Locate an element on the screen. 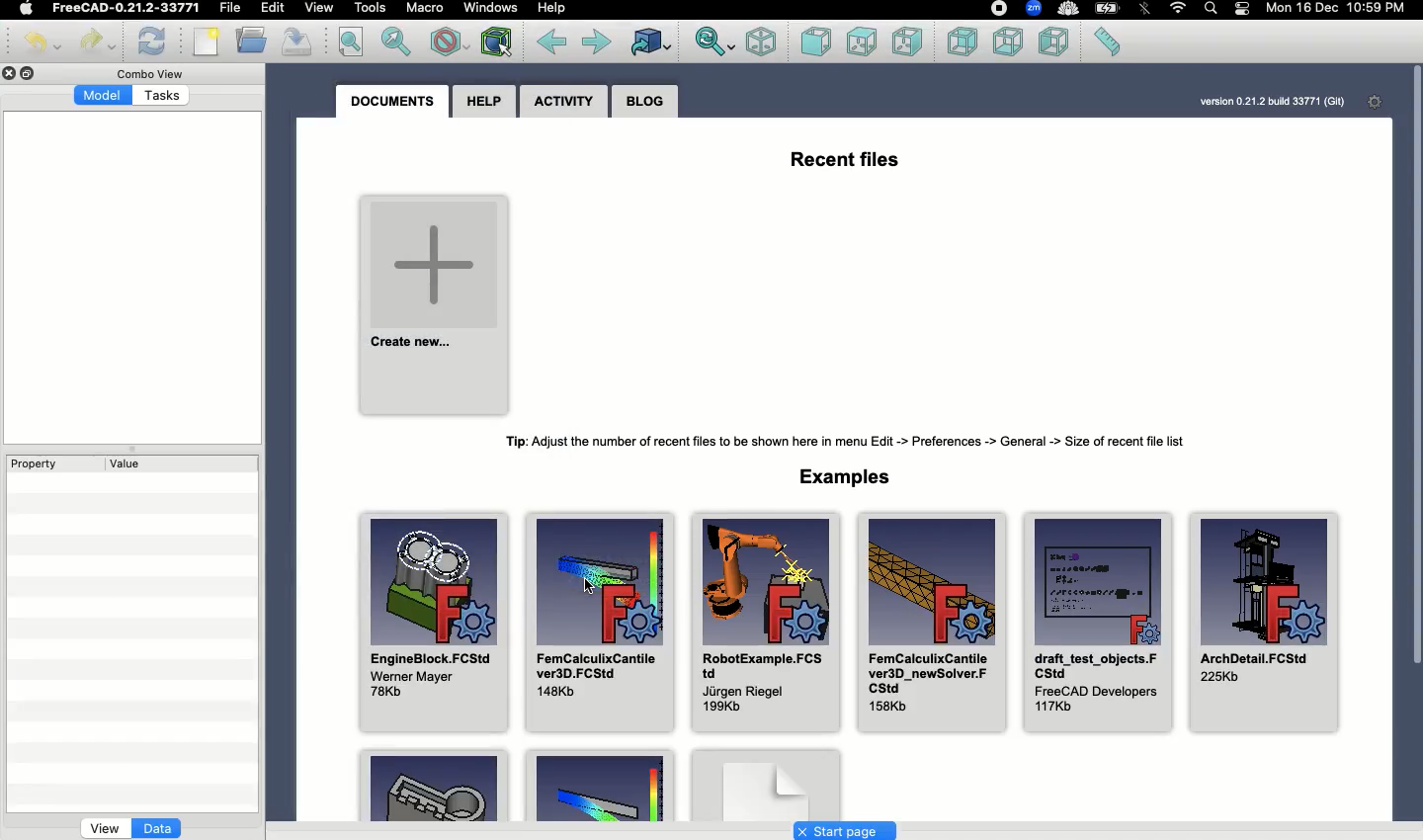 This screenshot has height=840, width=1423. Scroll is located at coordinates (1414, 363).